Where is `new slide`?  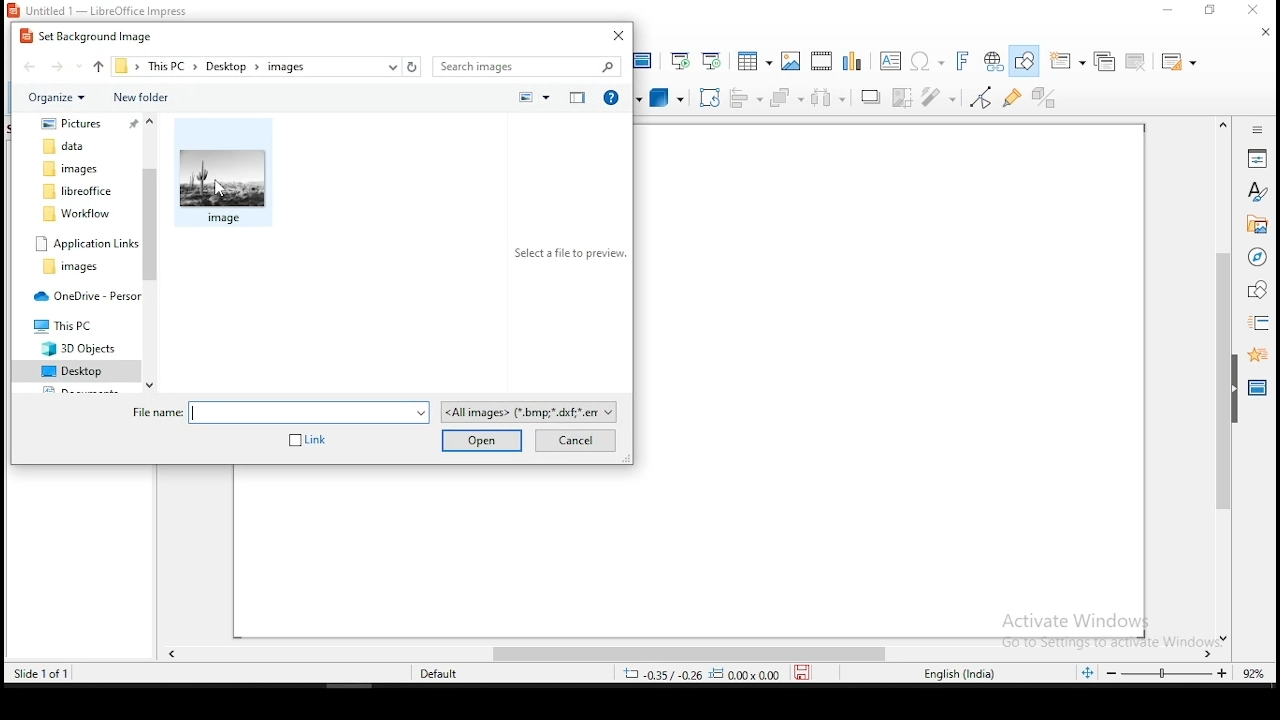 new slide is located at coordinates (1067, 60).